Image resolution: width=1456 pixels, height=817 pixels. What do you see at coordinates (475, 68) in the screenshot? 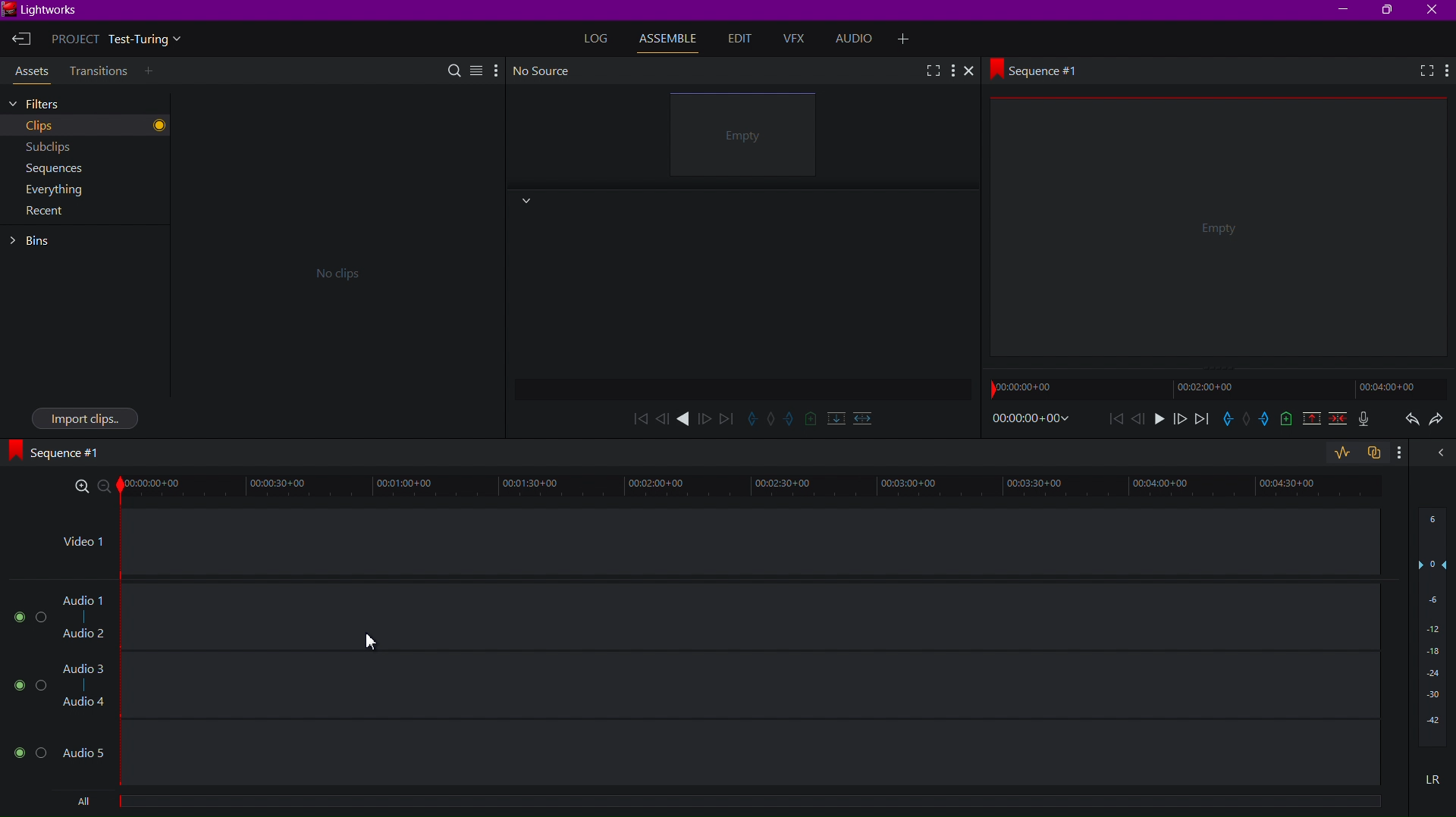
I see `List` at bounding box center [475, 68].